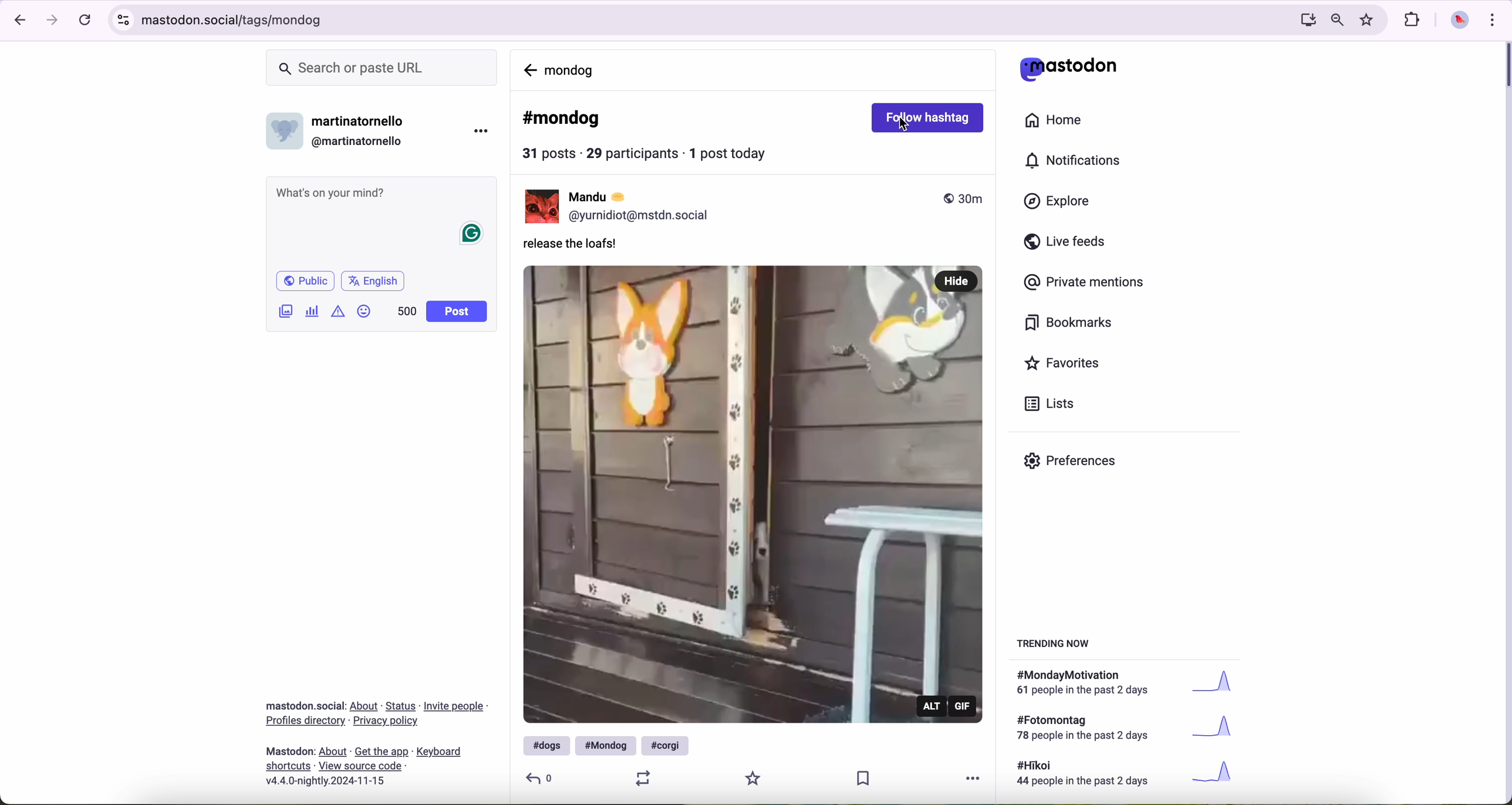 This screenshot has width=1512, height=805. Describe the element at coordinates (754, 777) in the screenshot. I see `favorite` at that location.